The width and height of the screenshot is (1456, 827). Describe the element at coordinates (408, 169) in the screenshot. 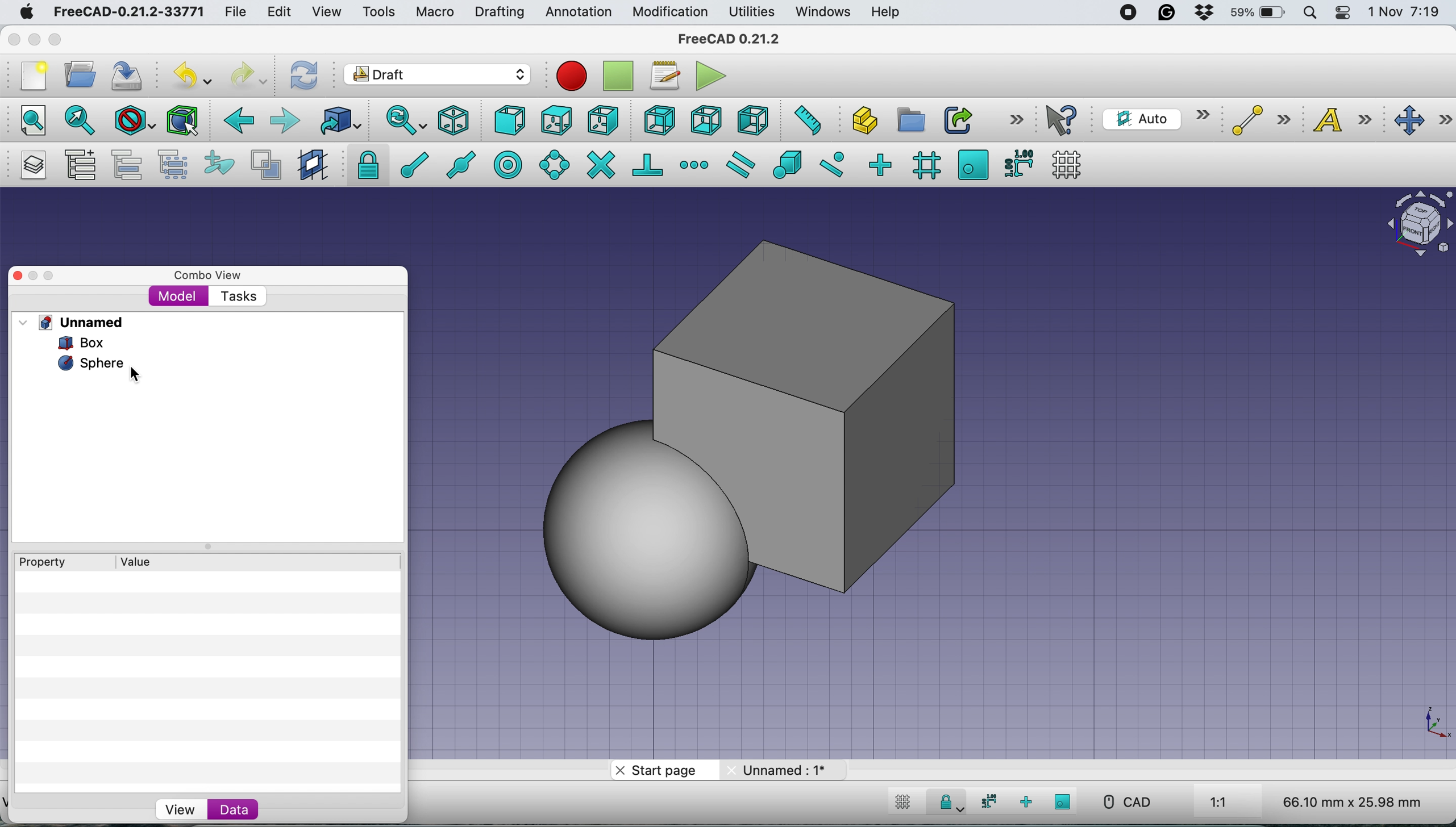

I see `snap endpoint` at that location.